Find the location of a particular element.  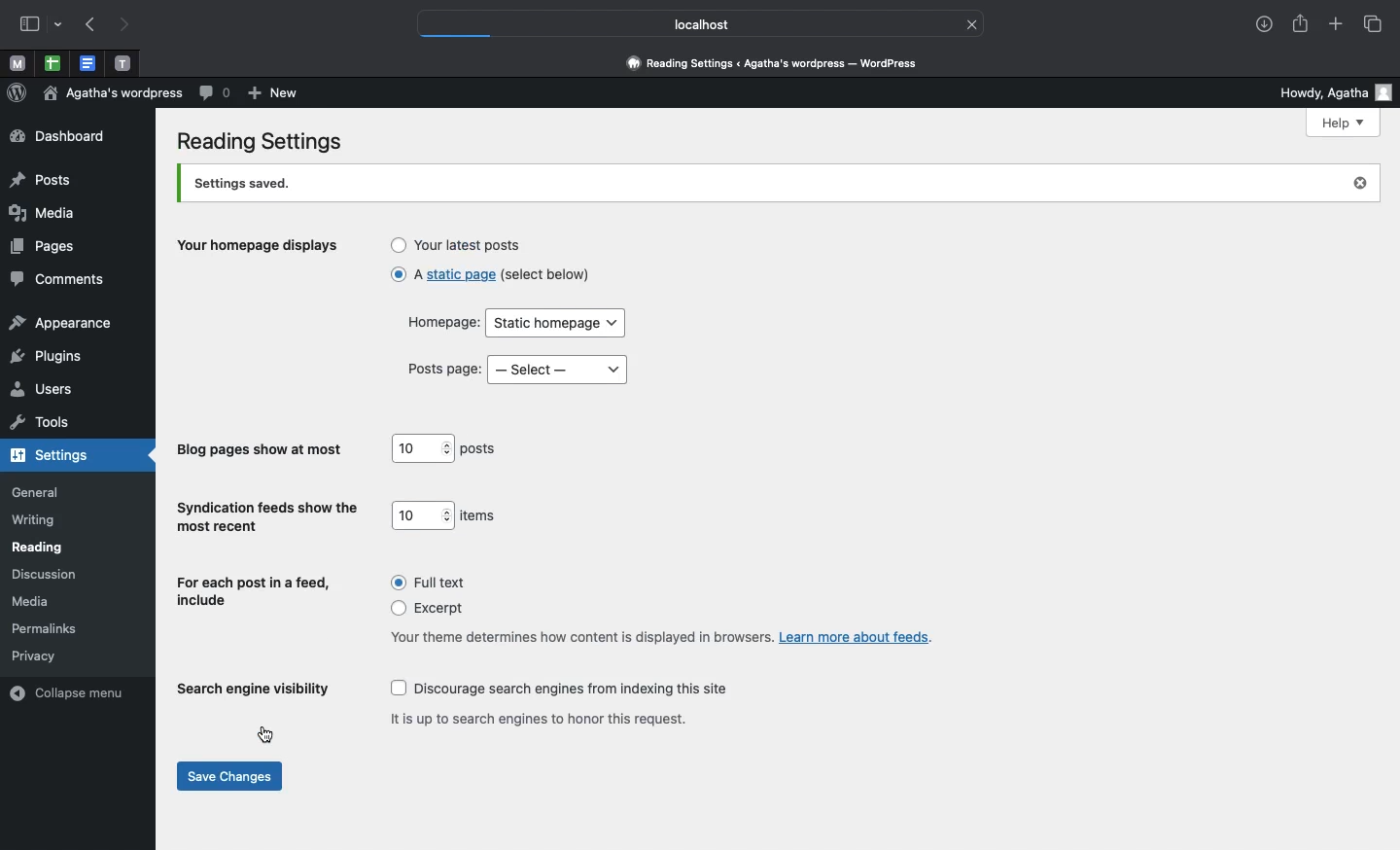

your latest posts is located at coordinates (459, 245).